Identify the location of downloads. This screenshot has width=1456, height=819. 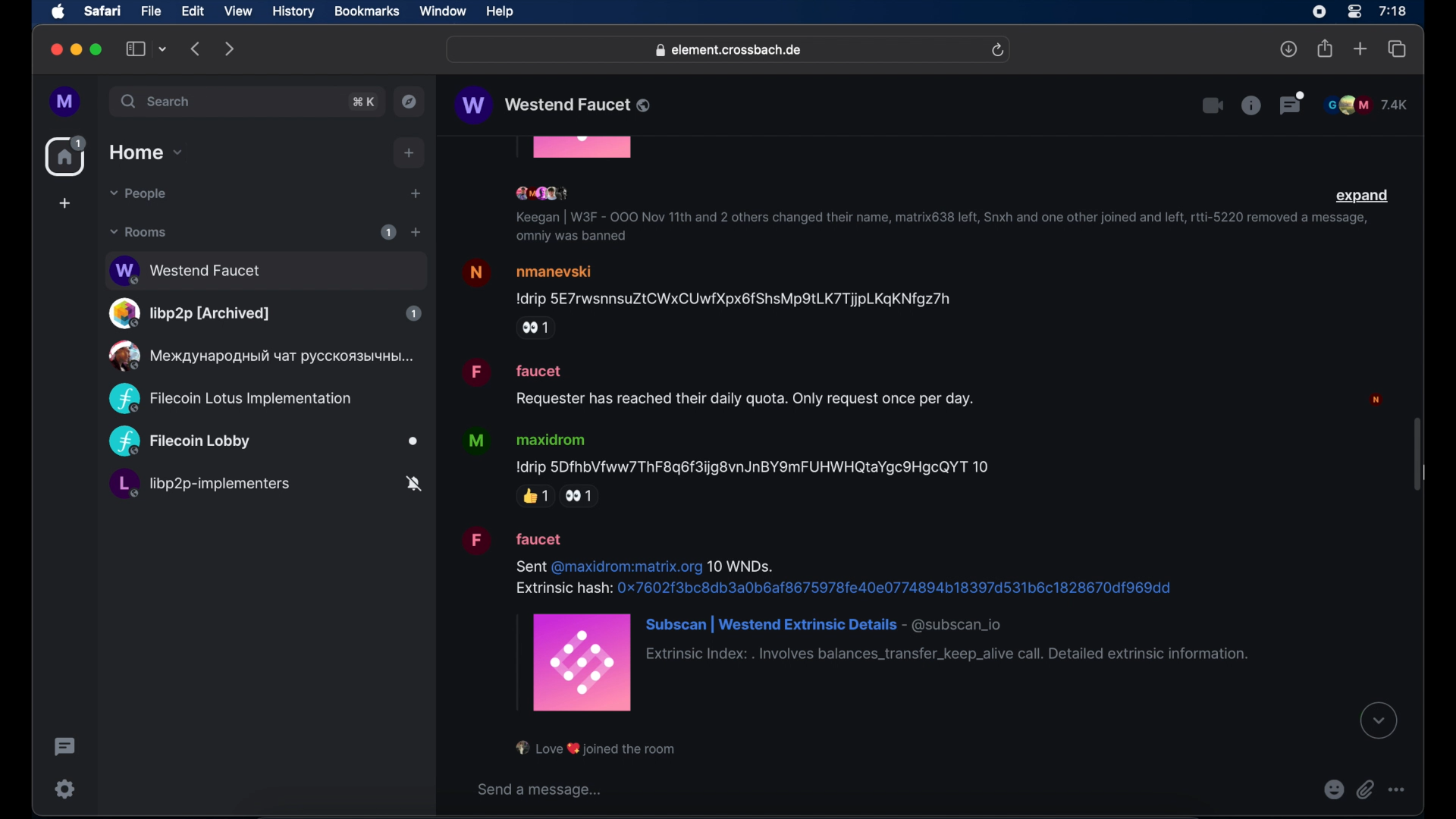
(1289, 49).